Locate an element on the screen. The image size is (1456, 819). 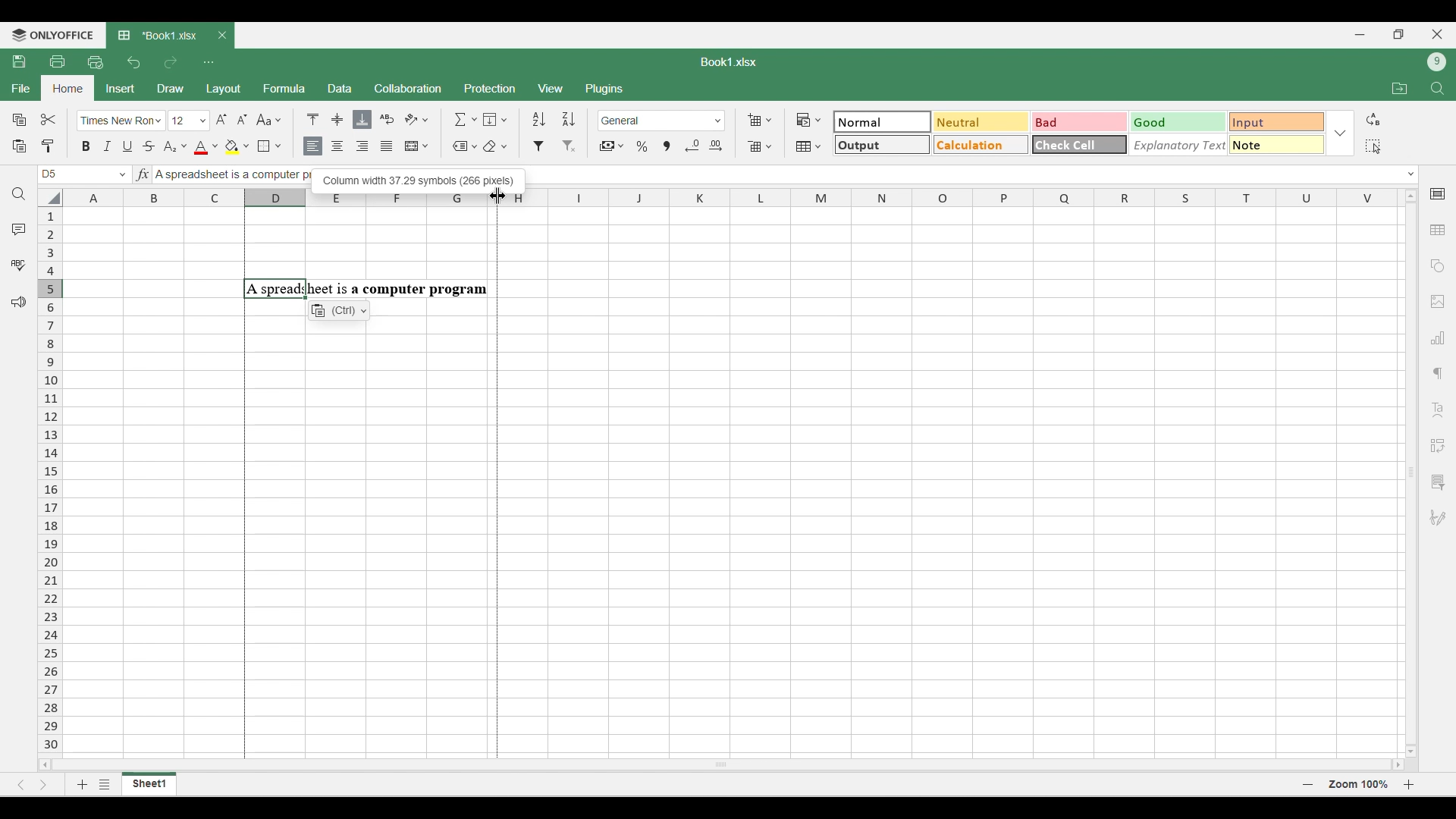
More settings is located at coordinates (1437, 482).